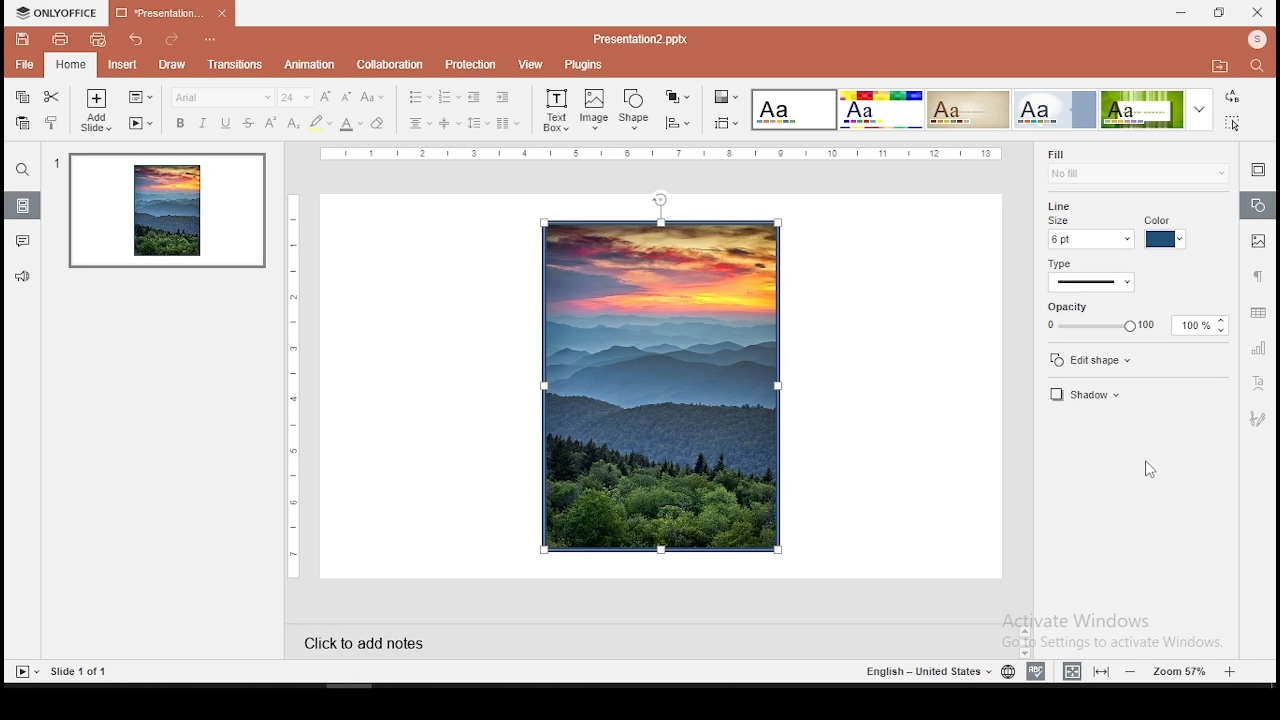 This screenshot has width=1280, height=720. Describe the element at coordinates (26, 673) in the screenshot. I see `start slideshow` at that location.